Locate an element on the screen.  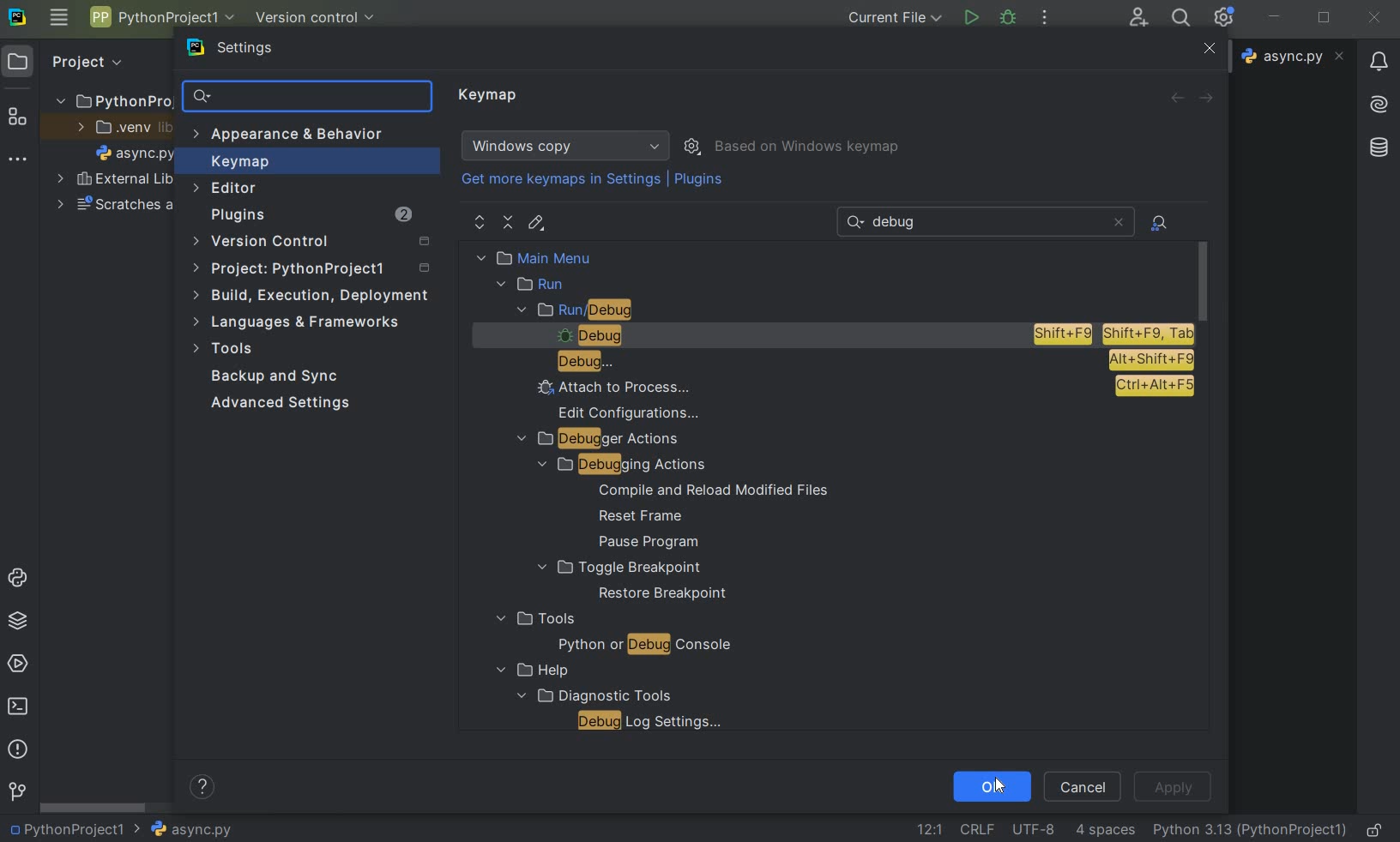
.venv is located at coordinates (124, 129).